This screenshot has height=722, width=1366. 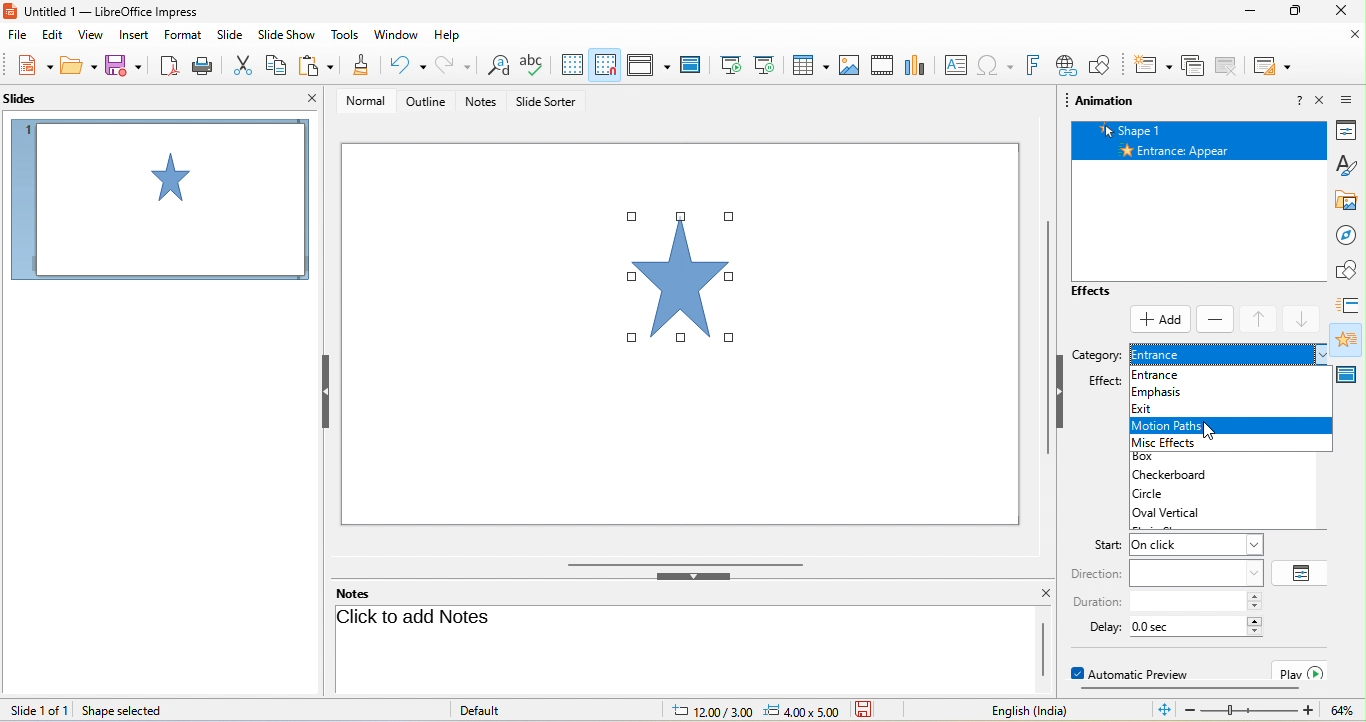 What do you see at coordinates (533, 65) in the screenshot?
I see `spelling` at bounding box center [533, 65].